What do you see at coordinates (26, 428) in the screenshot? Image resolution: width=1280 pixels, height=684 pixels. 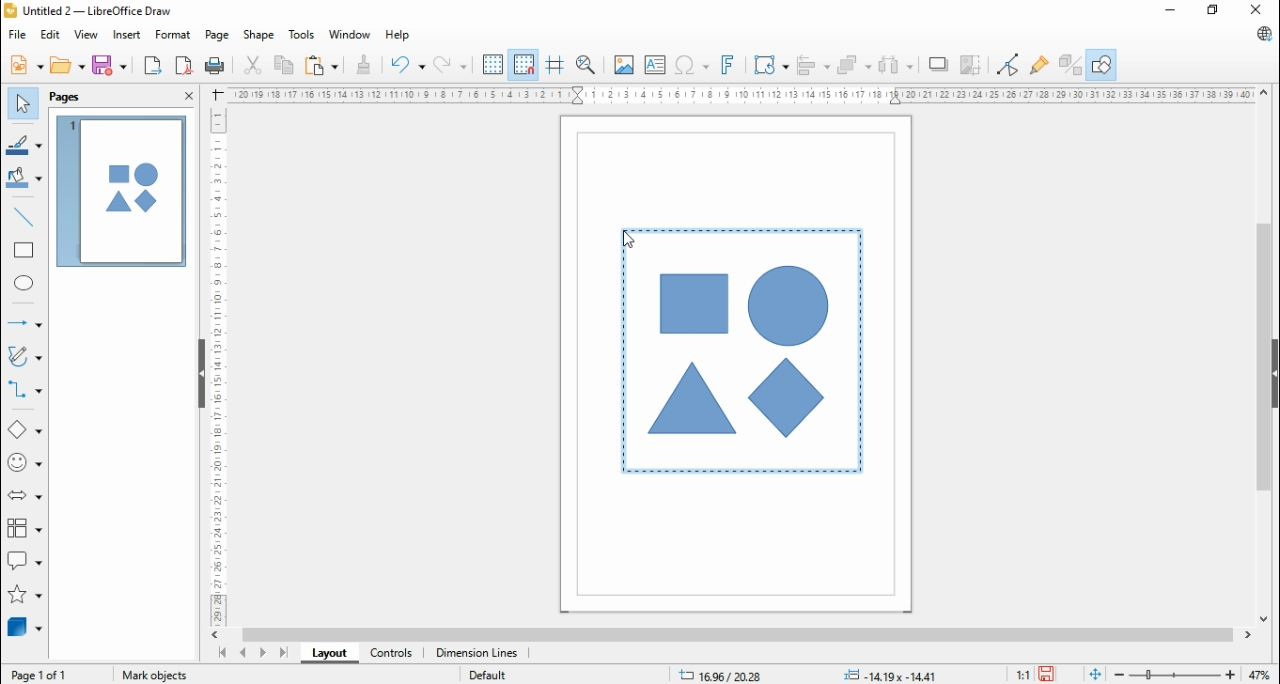 I see `simple shapes` at bounding box center [26, 428].